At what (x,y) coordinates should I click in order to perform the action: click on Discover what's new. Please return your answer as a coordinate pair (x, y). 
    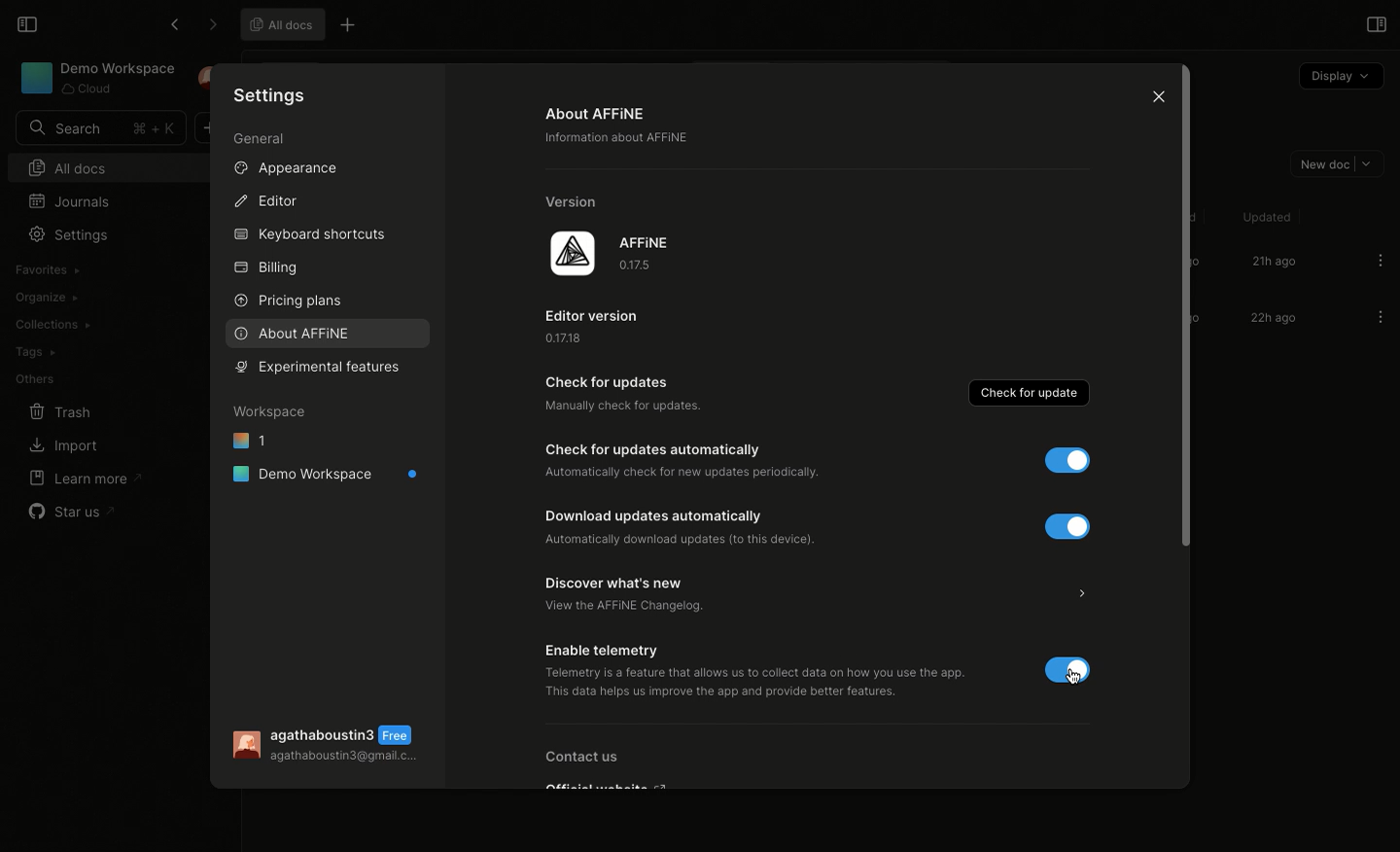
    Looking at the image, I should click on (822, 596).